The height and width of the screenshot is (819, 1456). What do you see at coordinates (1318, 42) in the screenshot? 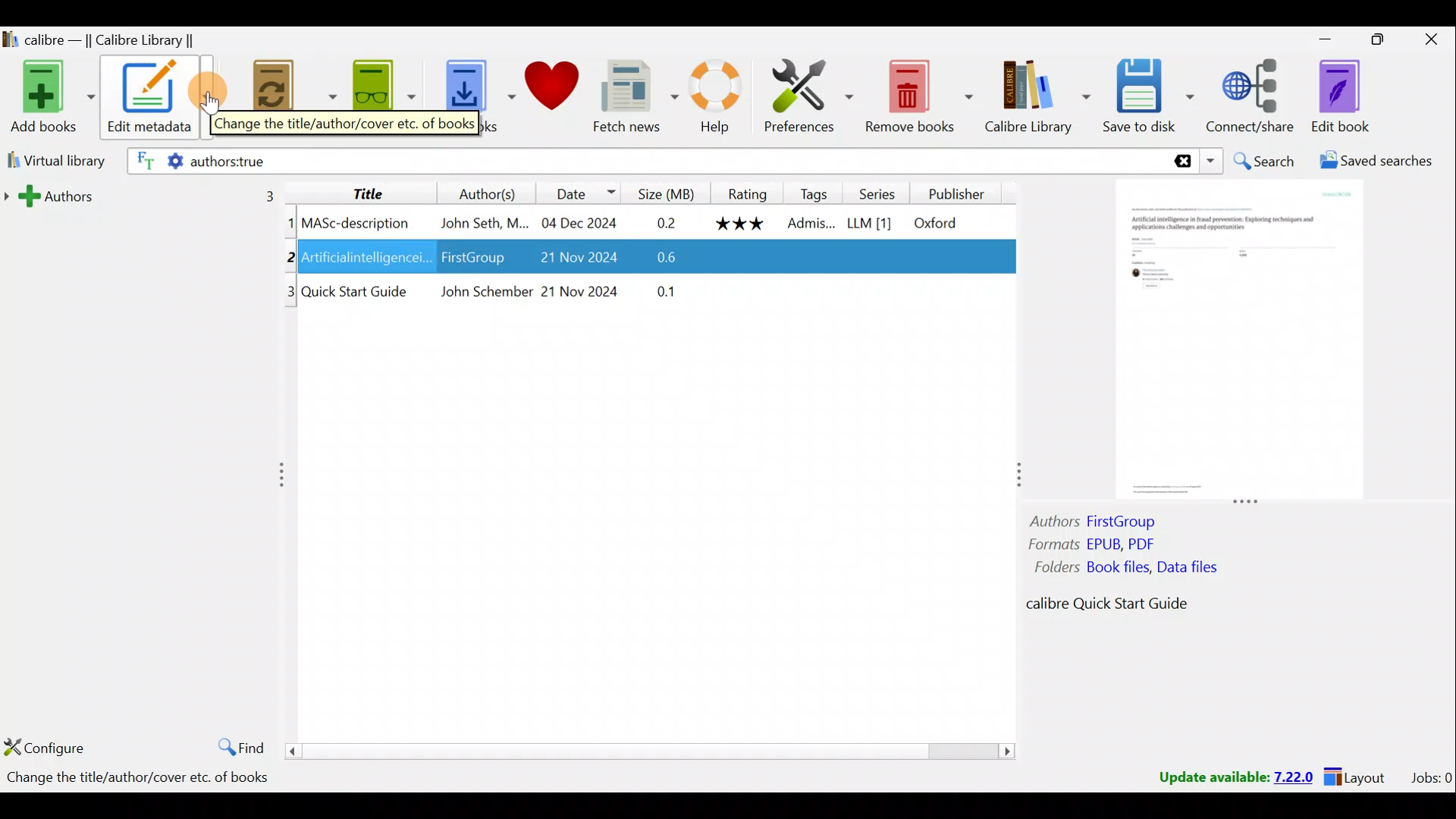
I see `Minimise` at bounding box center [1318, 42].